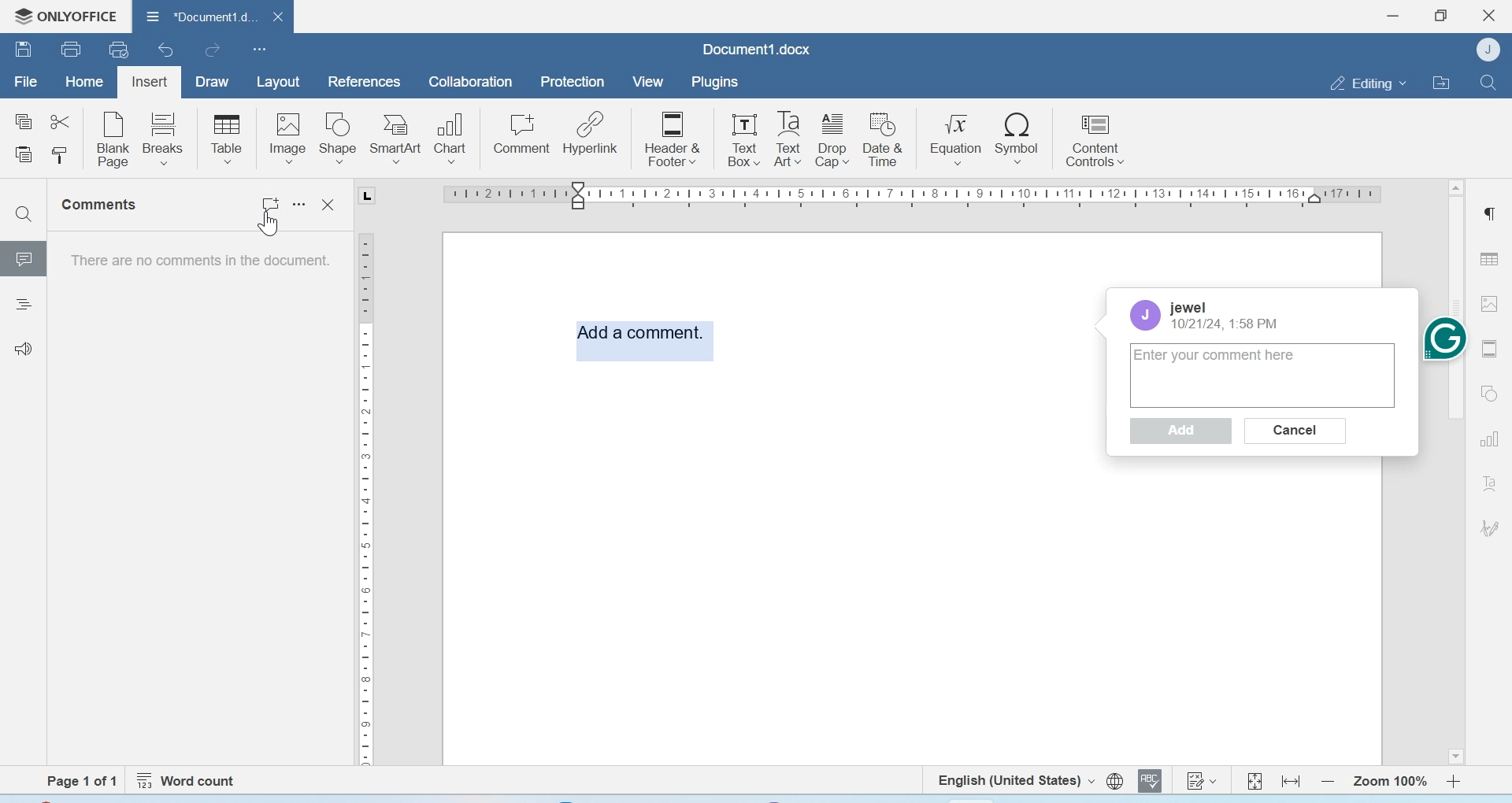  Describe the element at coordinates (24, 265) in the screenshot. I see `Comment icon` at that location.